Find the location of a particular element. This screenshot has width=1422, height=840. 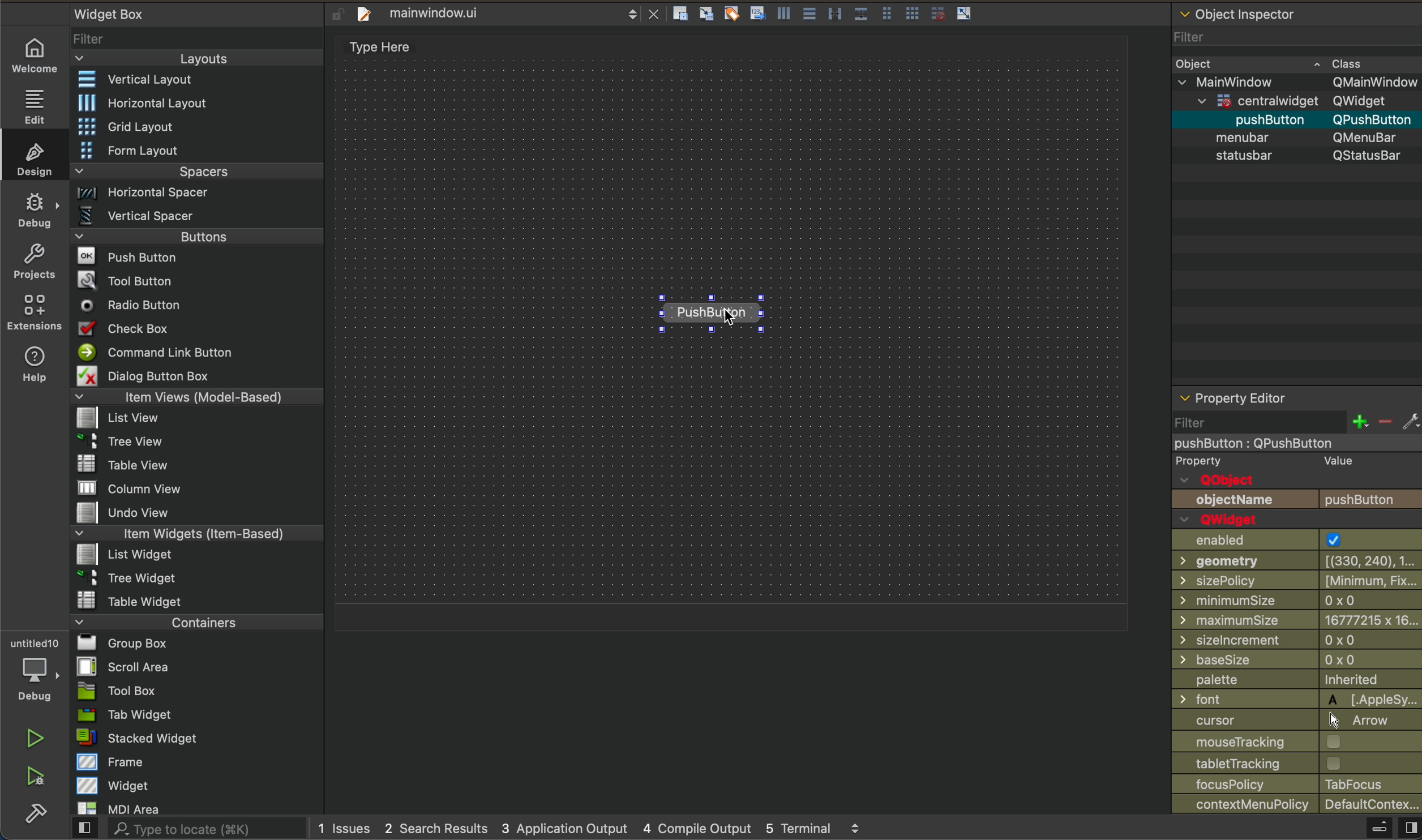

containers is located at coordinates (194, 624).